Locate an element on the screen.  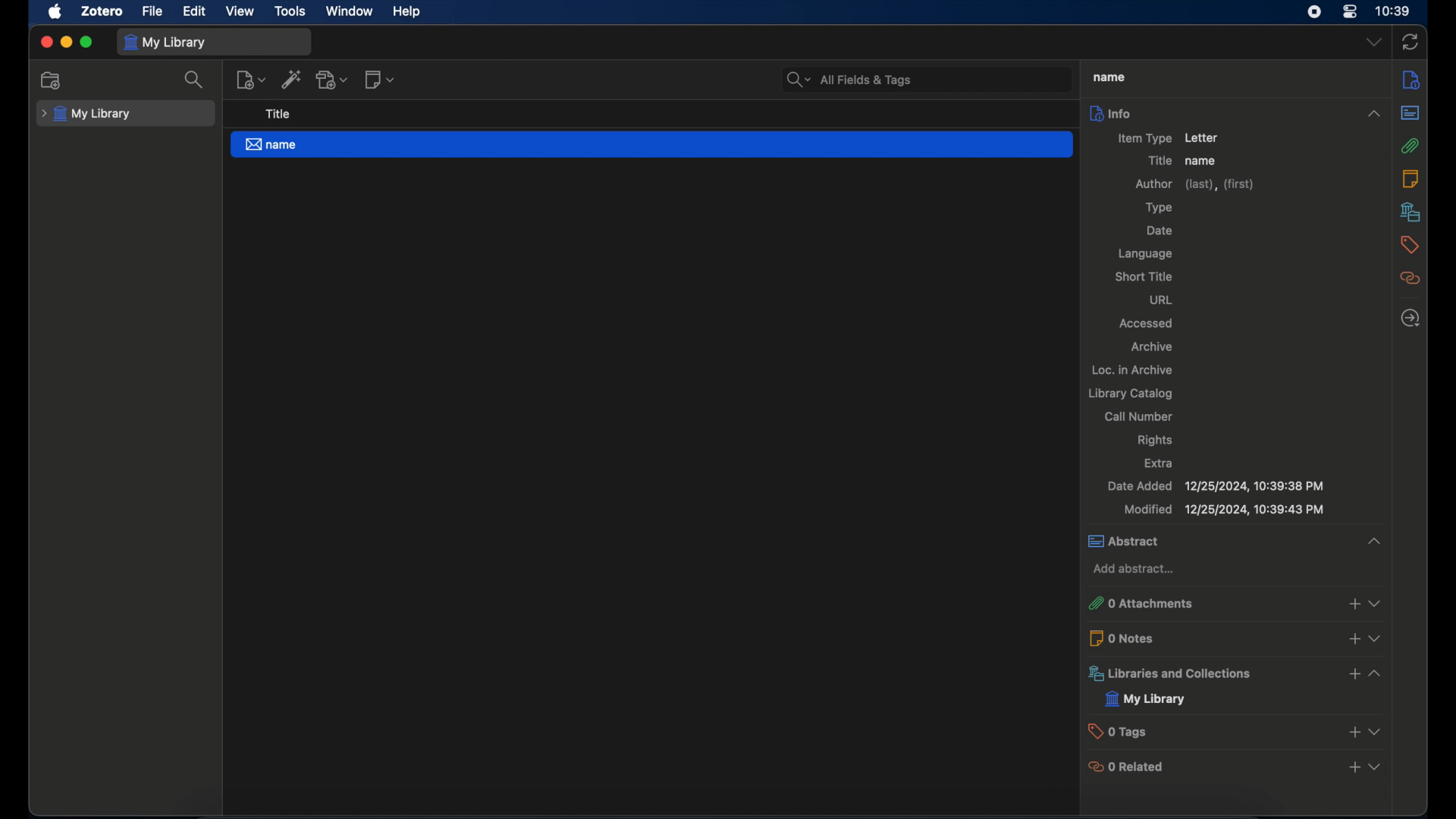
edit is located at coordinates (196, 11).